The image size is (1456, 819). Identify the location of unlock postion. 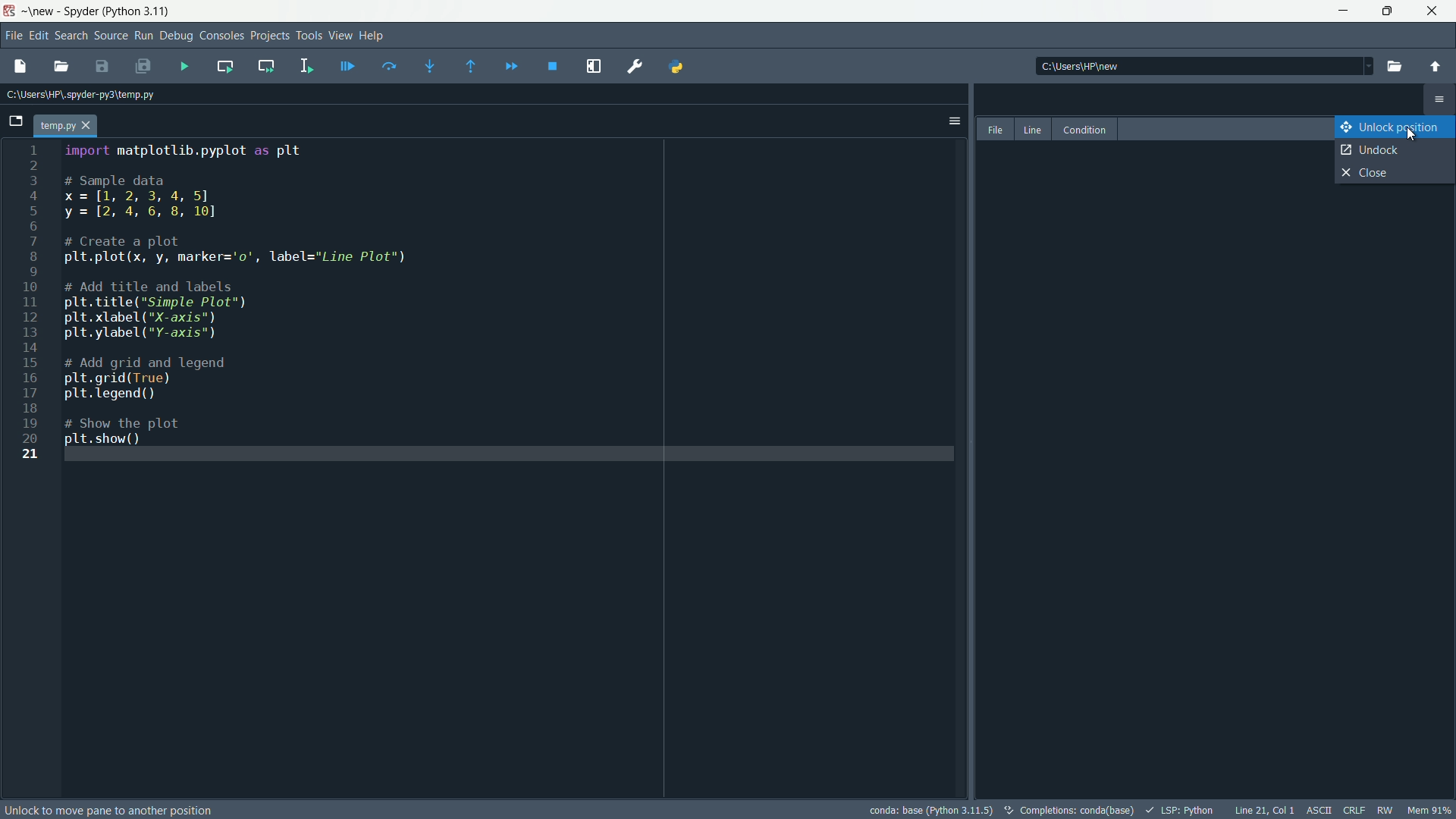
(1397, 126).